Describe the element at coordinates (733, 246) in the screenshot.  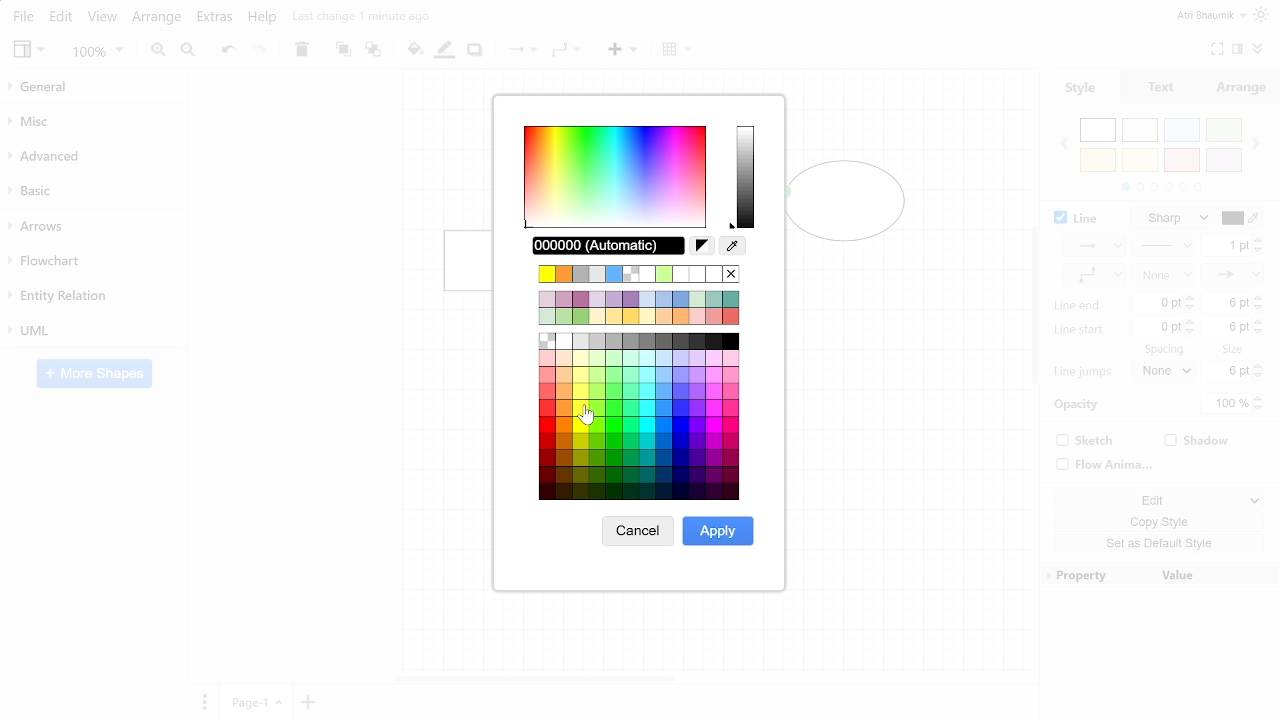
I see `Color picker` at that location.